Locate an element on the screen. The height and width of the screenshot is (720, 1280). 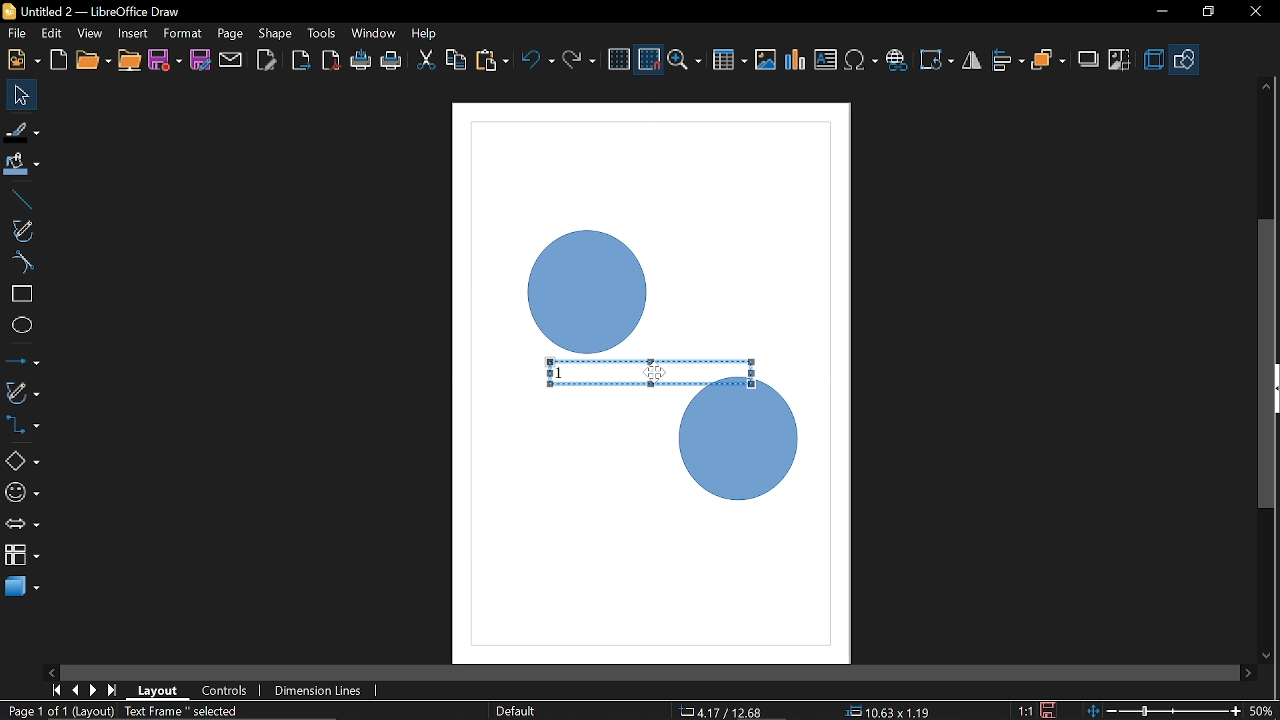
go to first page is located at coordinates (58, 689).